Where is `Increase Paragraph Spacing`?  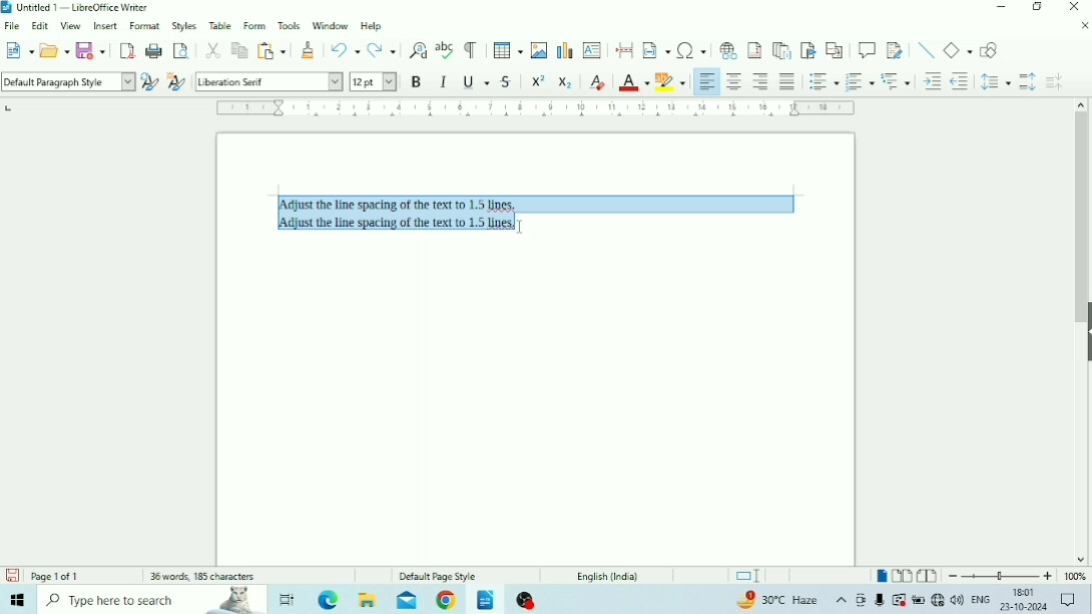 Increase Paragraph Spacing is located at coordinates (1027, 82).